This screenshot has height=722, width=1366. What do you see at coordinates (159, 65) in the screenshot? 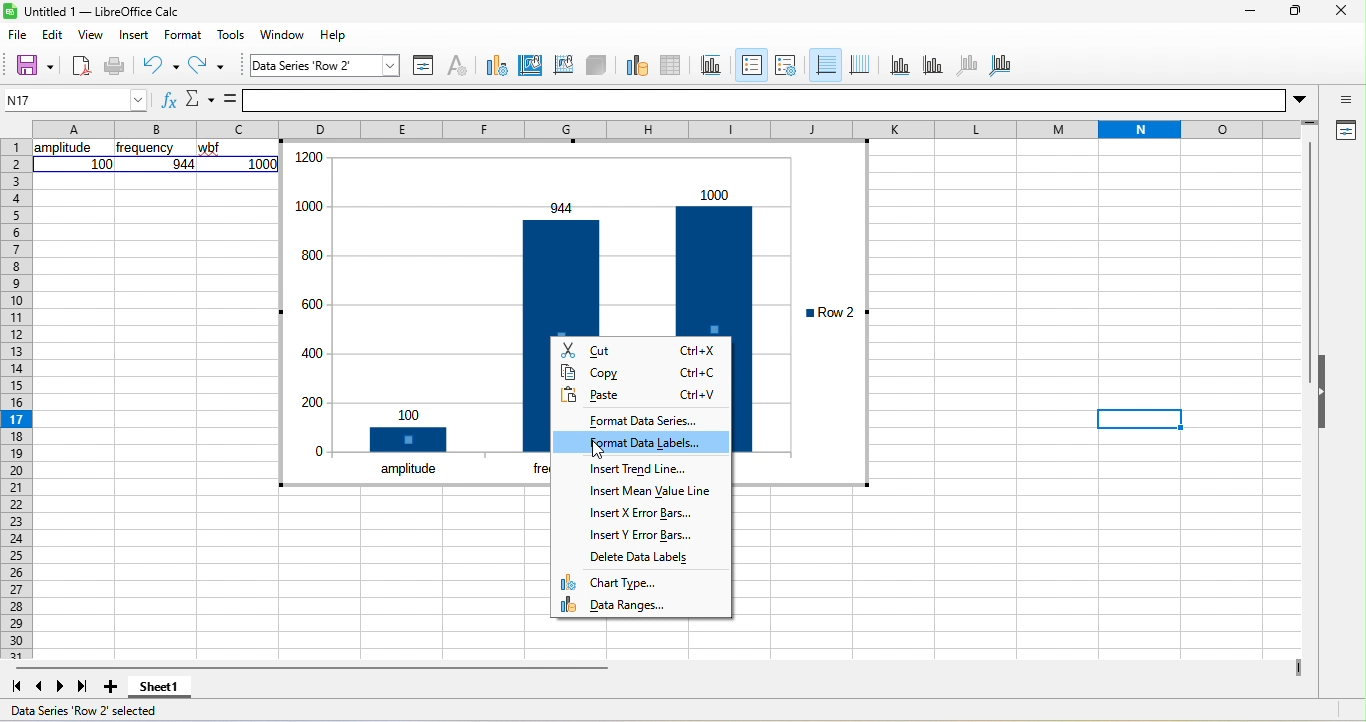
I see `undo` at bounding box center [159, 65].